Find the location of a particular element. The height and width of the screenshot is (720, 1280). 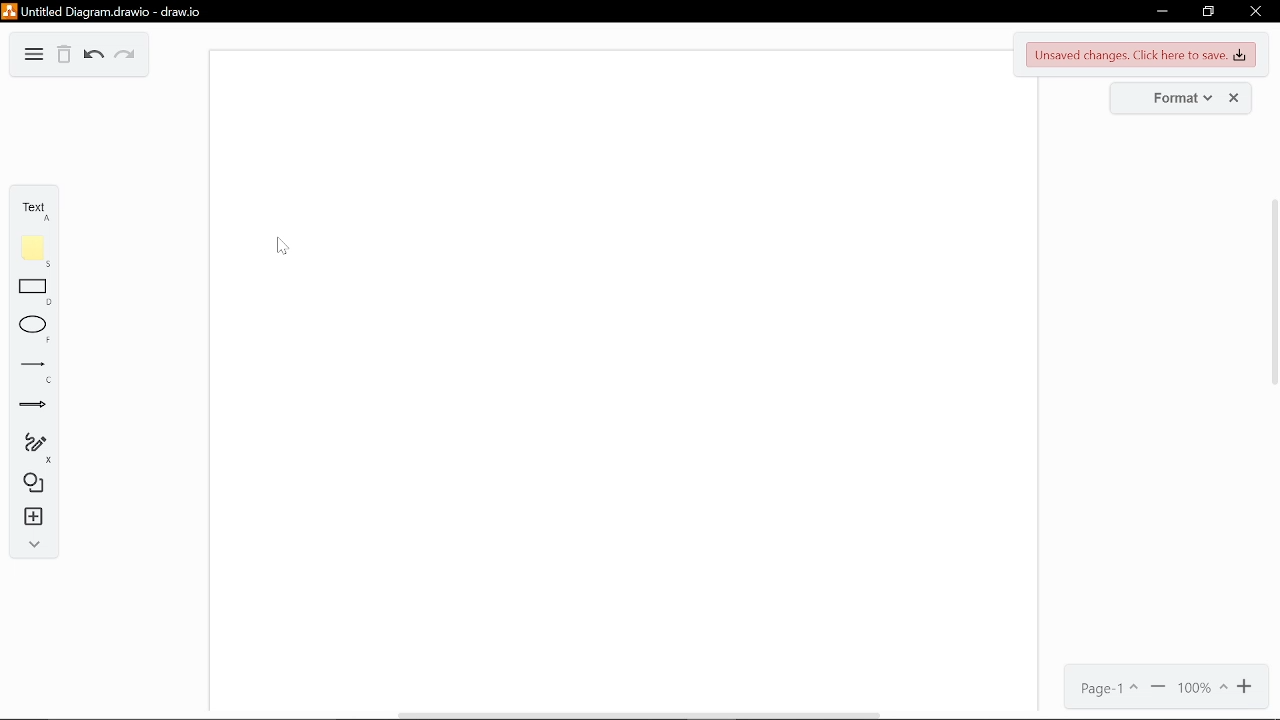

100% is located at coordinates (1203, 688).